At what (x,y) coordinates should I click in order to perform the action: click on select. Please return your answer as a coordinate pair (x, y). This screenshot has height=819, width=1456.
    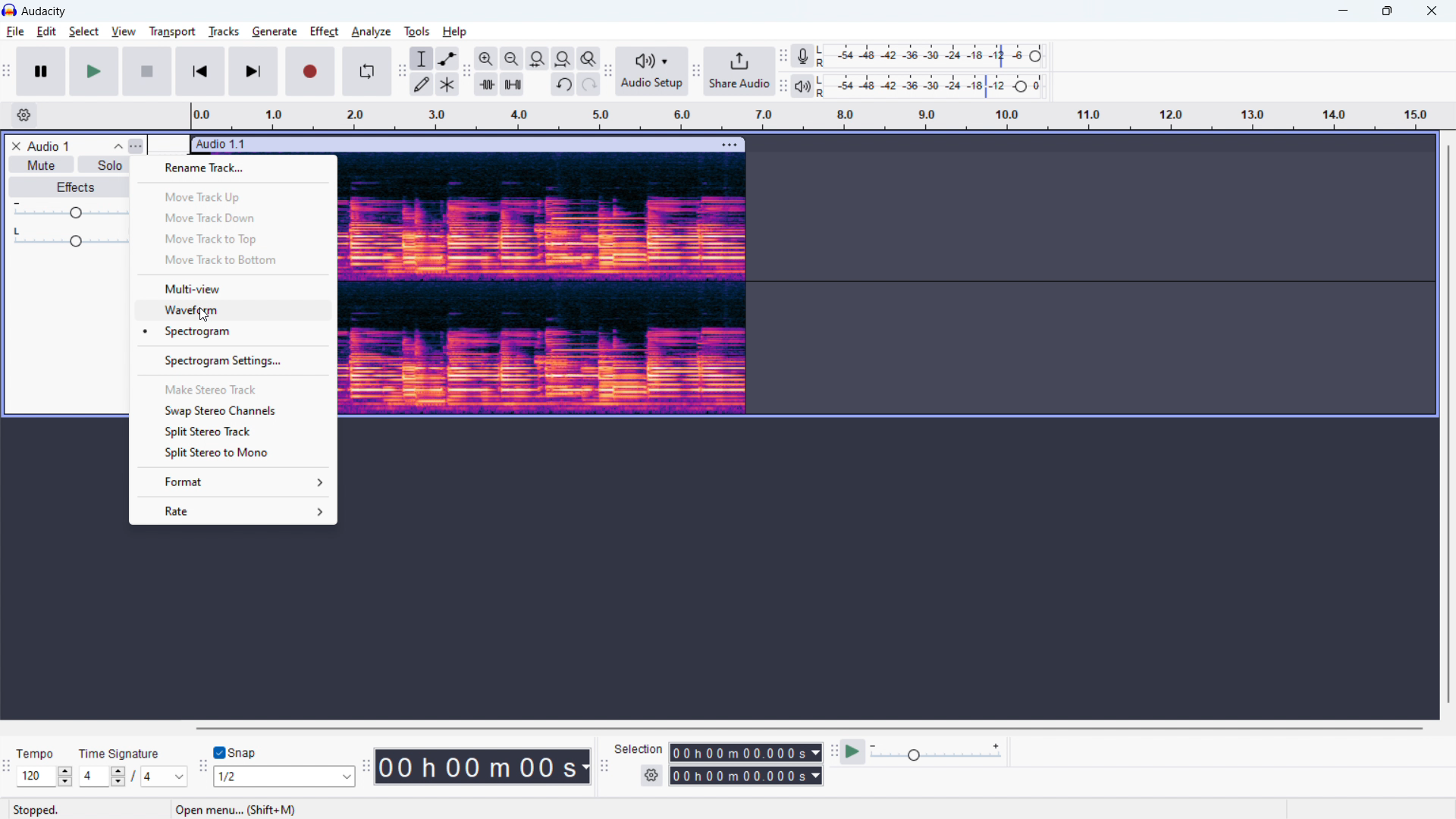
    Looking at the image, I should click on (83, 32).